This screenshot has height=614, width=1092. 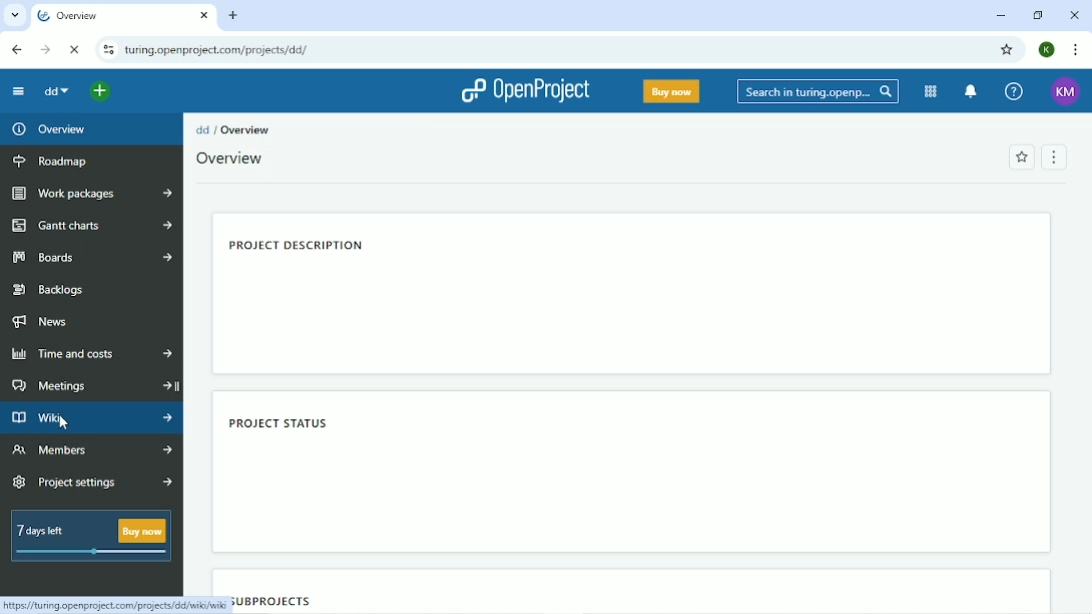 What do you see at coordinates (92, 257) in the screenshot?
I see `Boards` at bounding box center [92, 257].